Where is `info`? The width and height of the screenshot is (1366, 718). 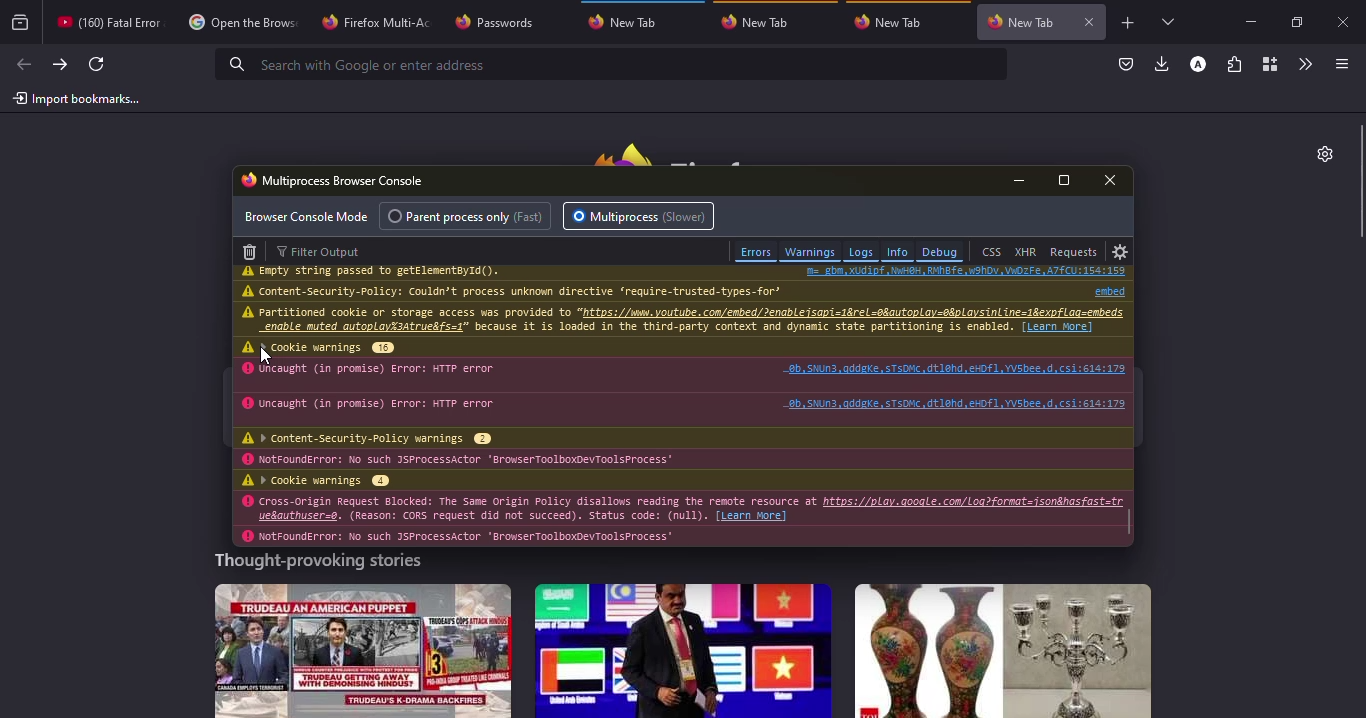 info is located at coordinates (897, 252).